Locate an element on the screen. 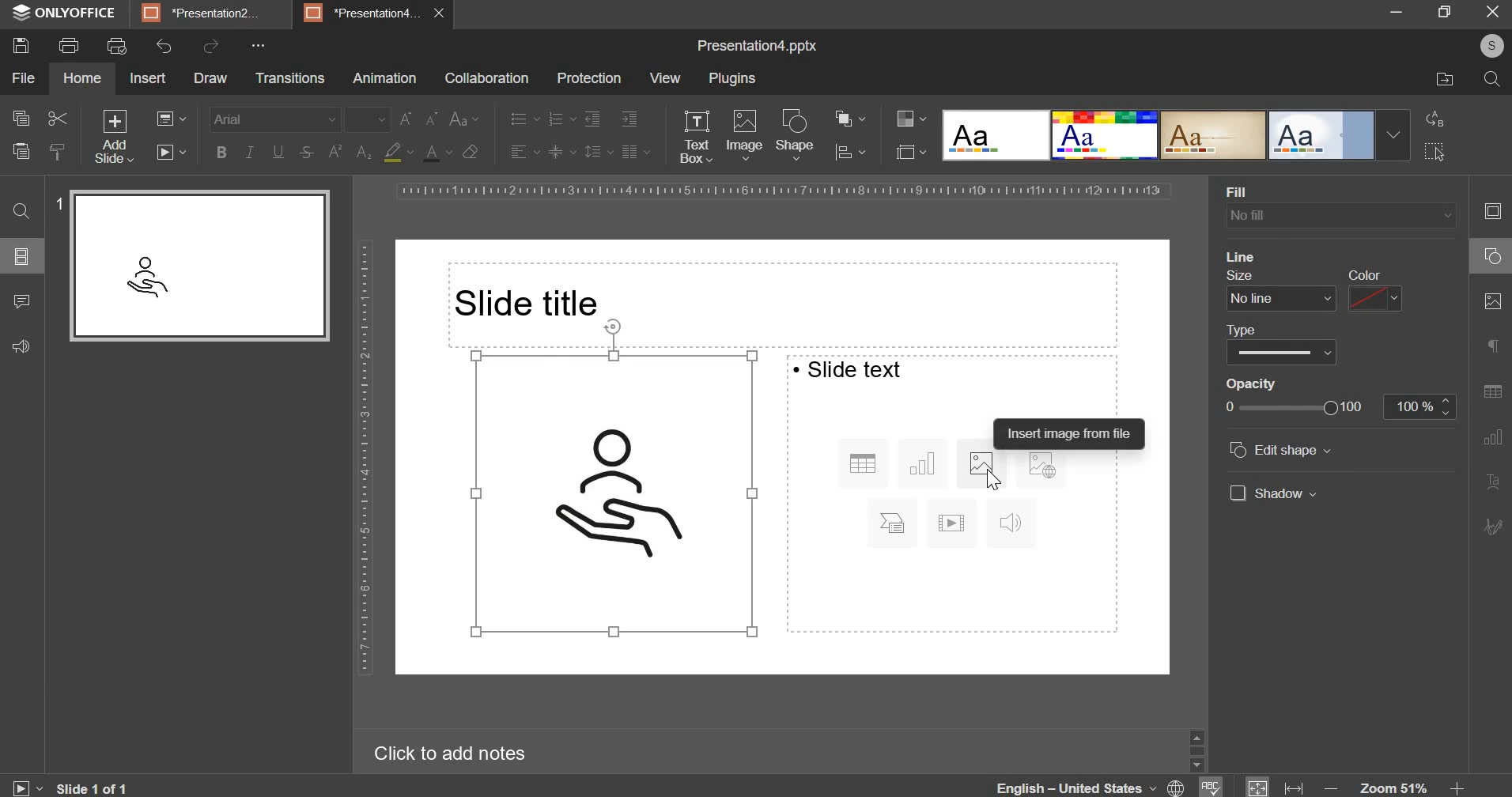 The height and width of the screenshot is (797, 1512). paragraph setting is located at coordinates (634, 150).